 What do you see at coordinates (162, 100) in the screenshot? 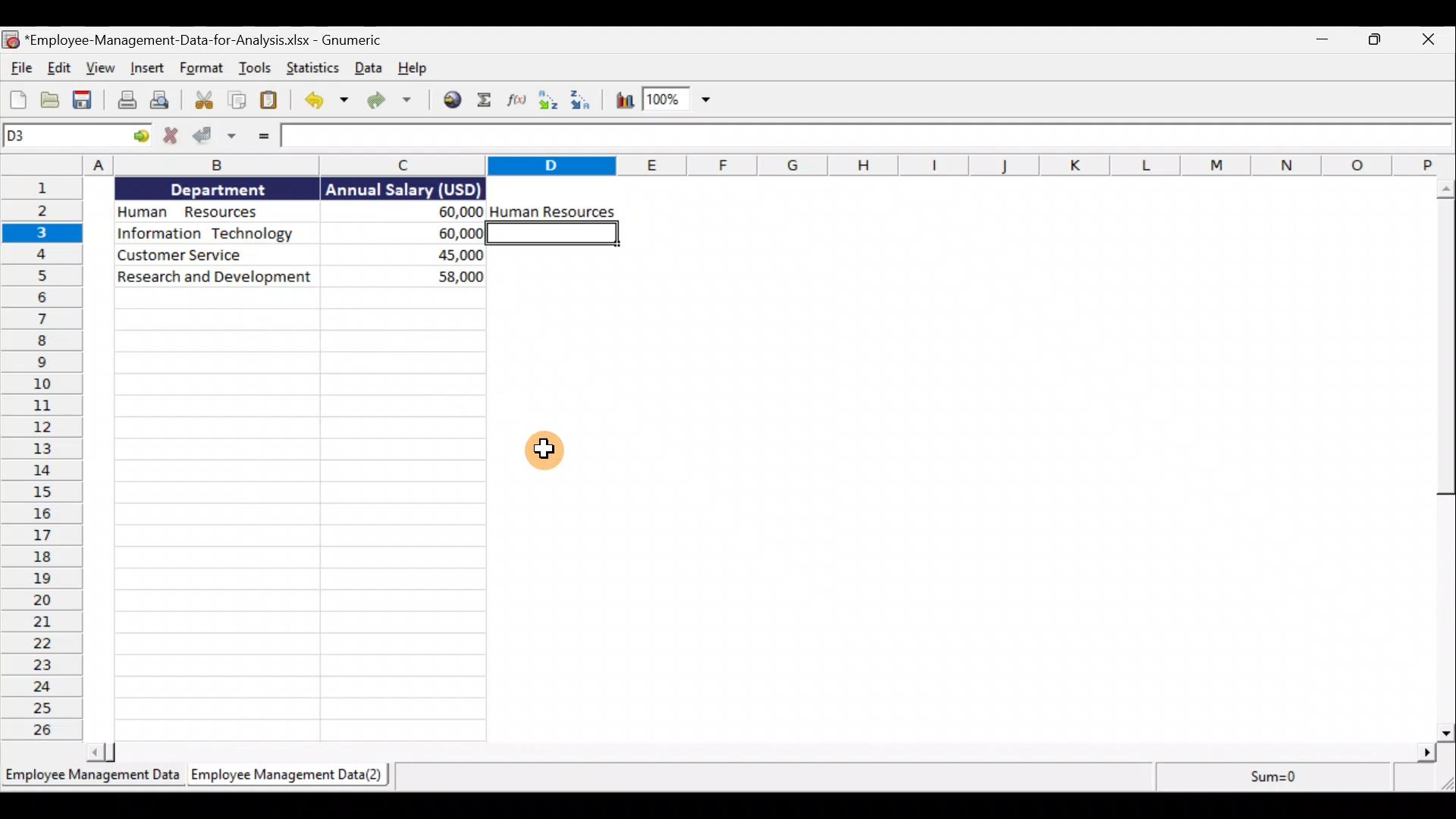
I see `Print preview` at bounding box center [162, 100].